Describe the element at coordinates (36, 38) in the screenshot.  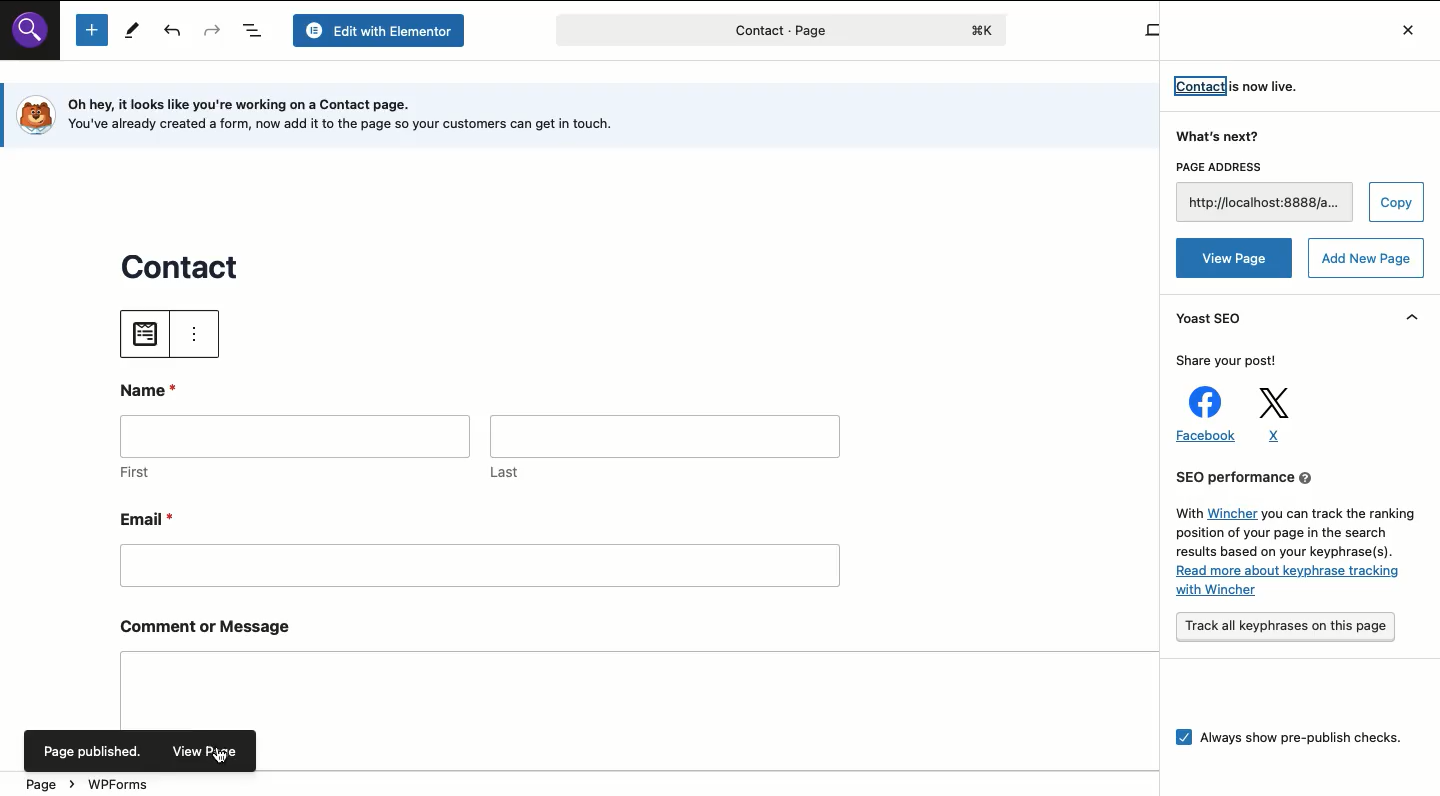
I see `search` at that location.